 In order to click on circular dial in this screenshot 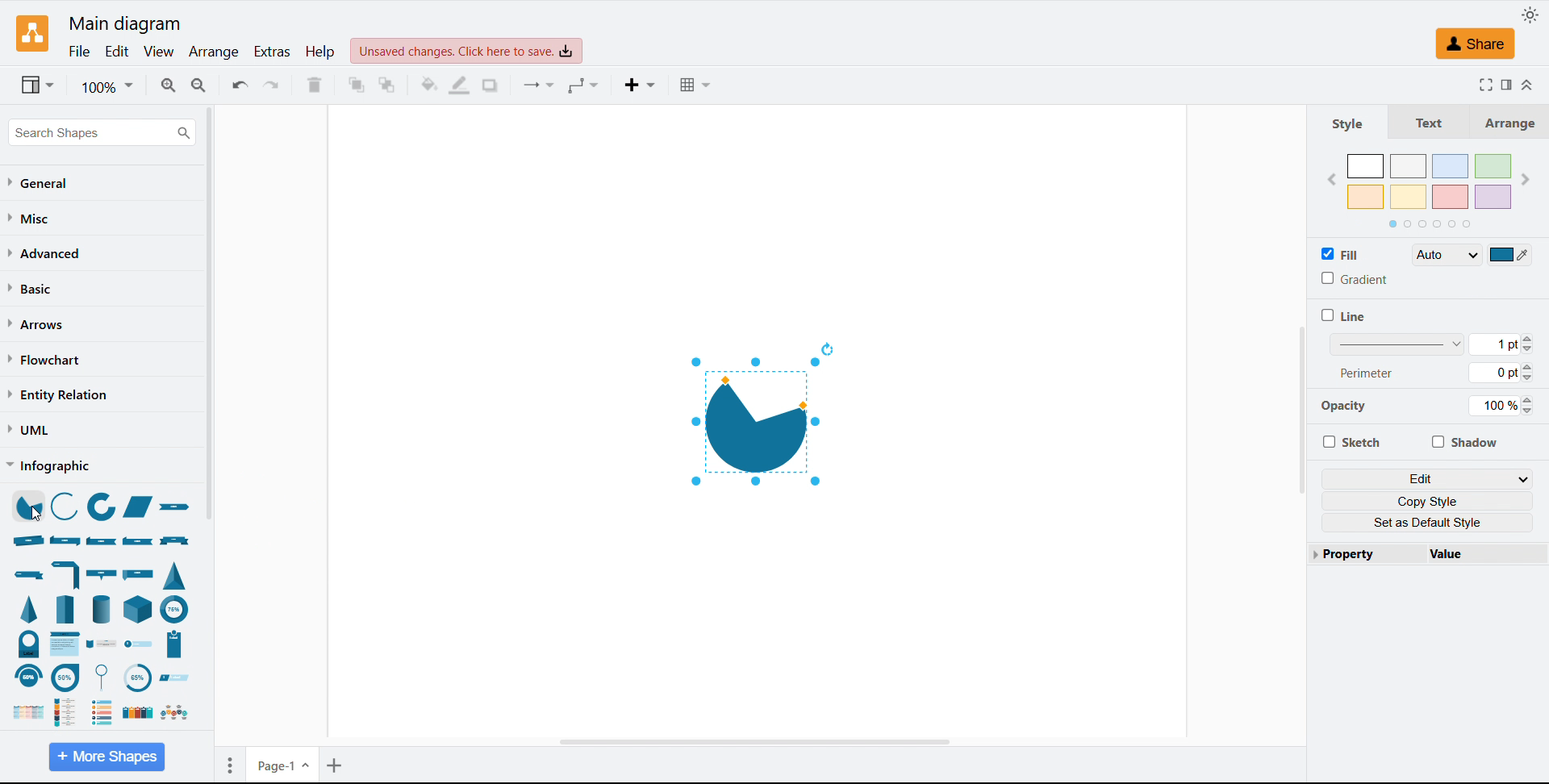, I will do `click(27, 644)`.